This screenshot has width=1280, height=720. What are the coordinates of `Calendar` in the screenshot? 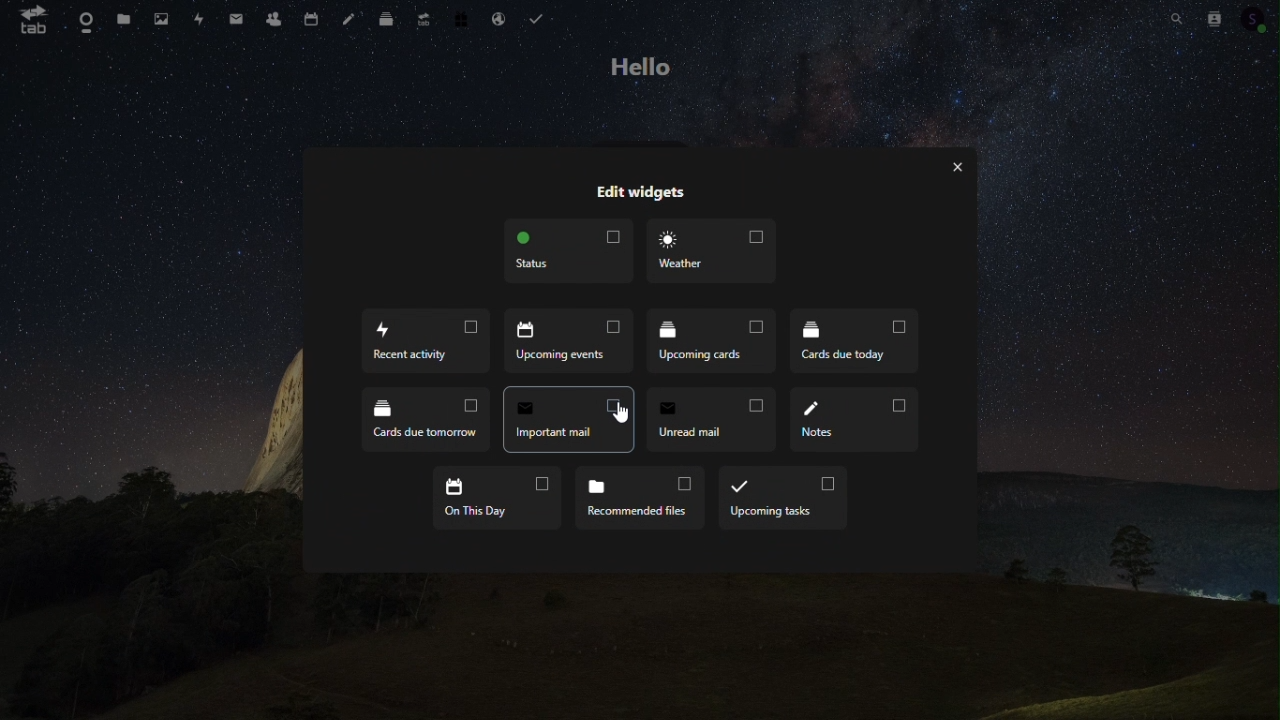 It's located at (308, 18).